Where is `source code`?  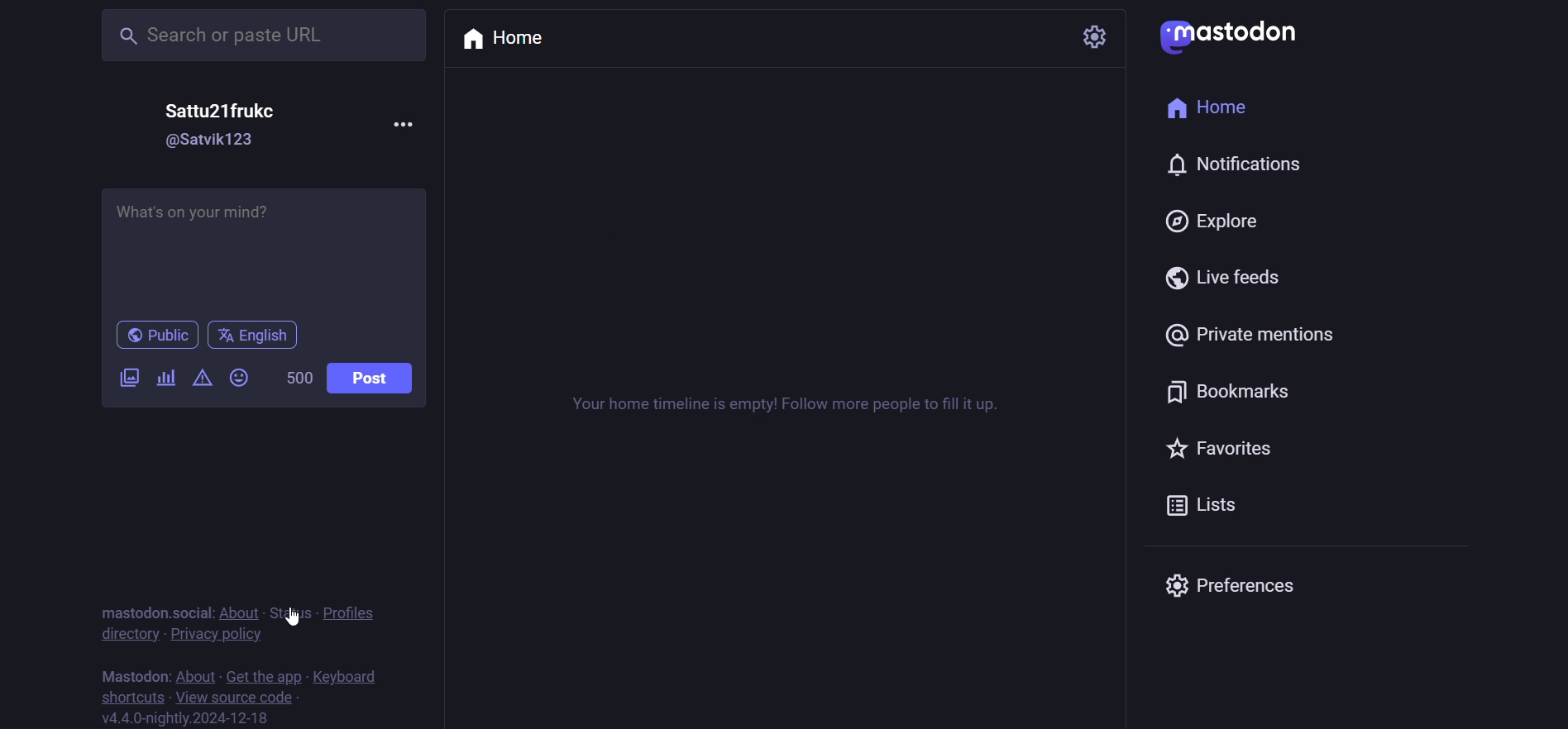
source code is located at coordinates (240, 696).